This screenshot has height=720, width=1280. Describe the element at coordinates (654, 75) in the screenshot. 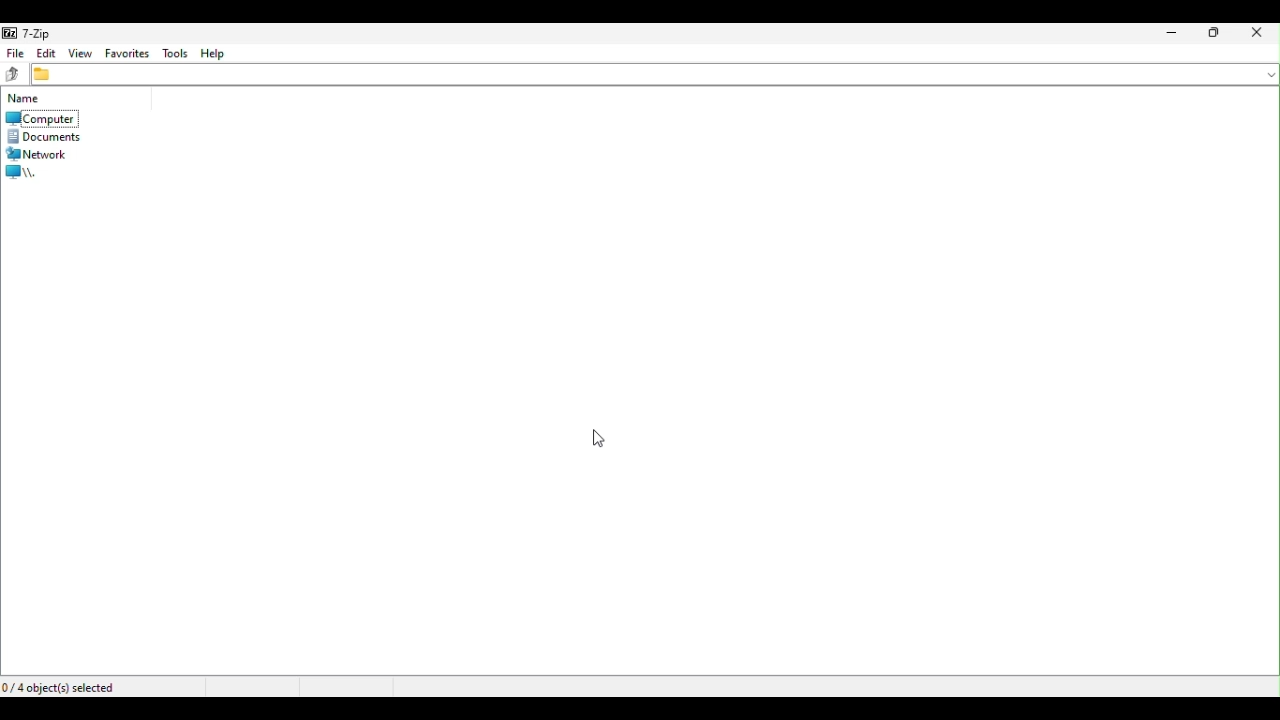

I see `file address bar` at that location.